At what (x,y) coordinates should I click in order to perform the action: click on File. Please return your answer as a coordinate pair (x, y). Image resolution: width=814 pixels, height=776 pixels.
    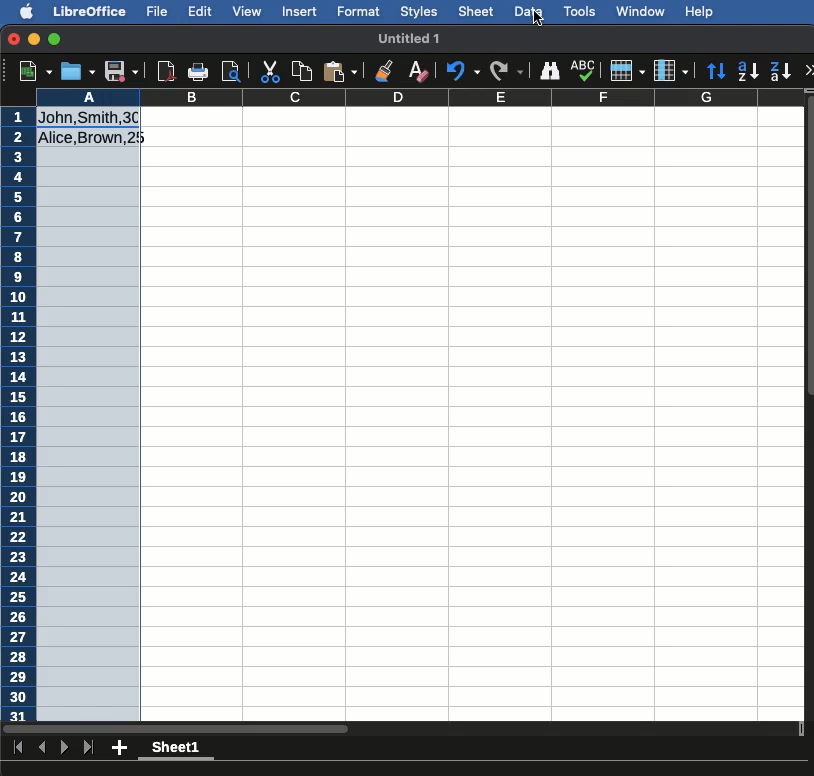
    Looking at the image, I should click on (158, 12).